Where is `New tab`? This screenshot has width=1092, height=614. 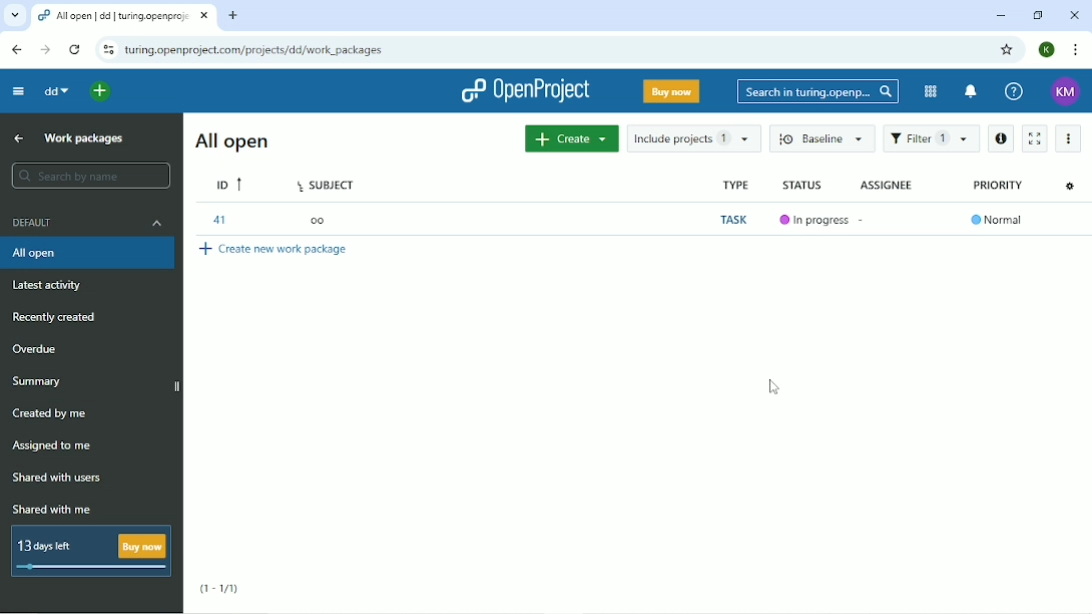
New tab is located at coordinates (234, 17).